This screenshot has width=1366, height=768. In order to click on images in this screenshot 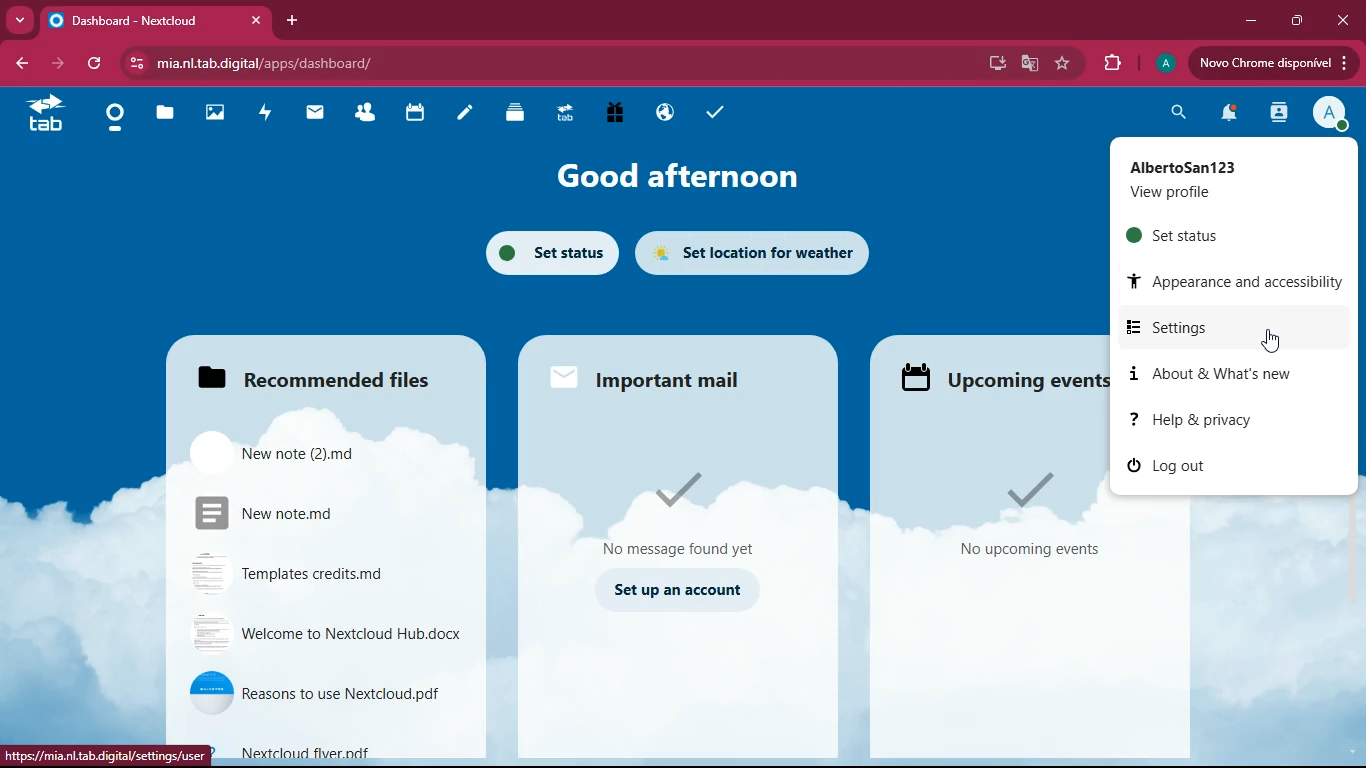, I will do `click(213, 115)`.